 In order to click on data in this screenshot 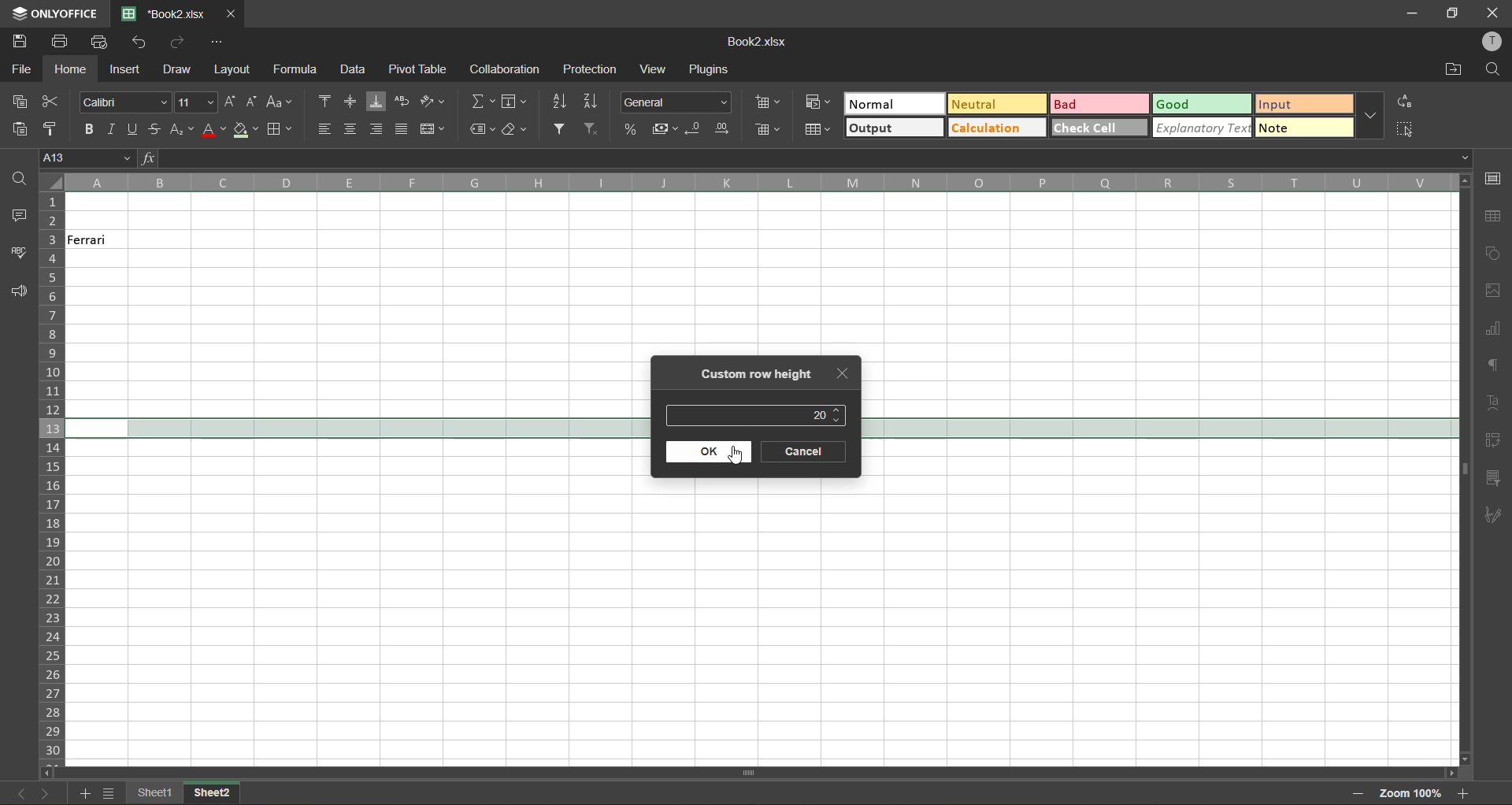, I will do `click(350, 70)`.